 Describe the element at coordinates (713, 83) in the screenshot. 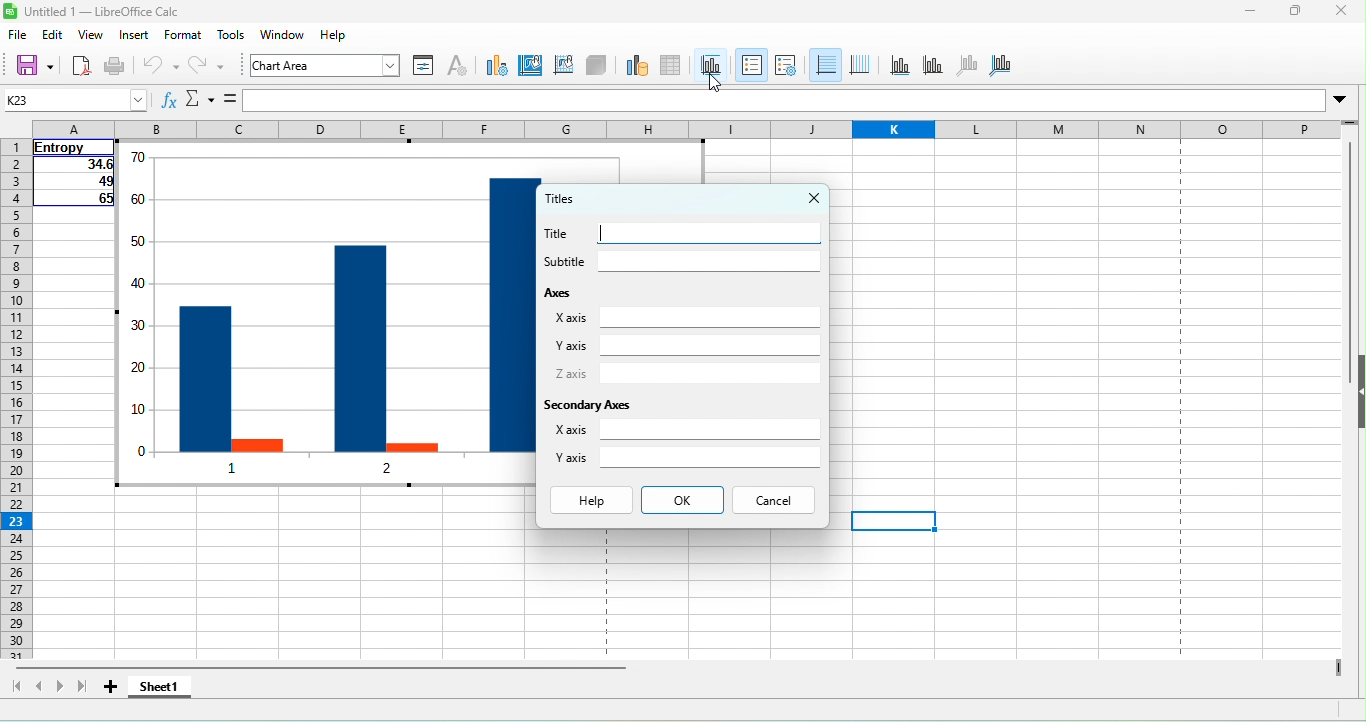

I see `cursor movement` at that location.